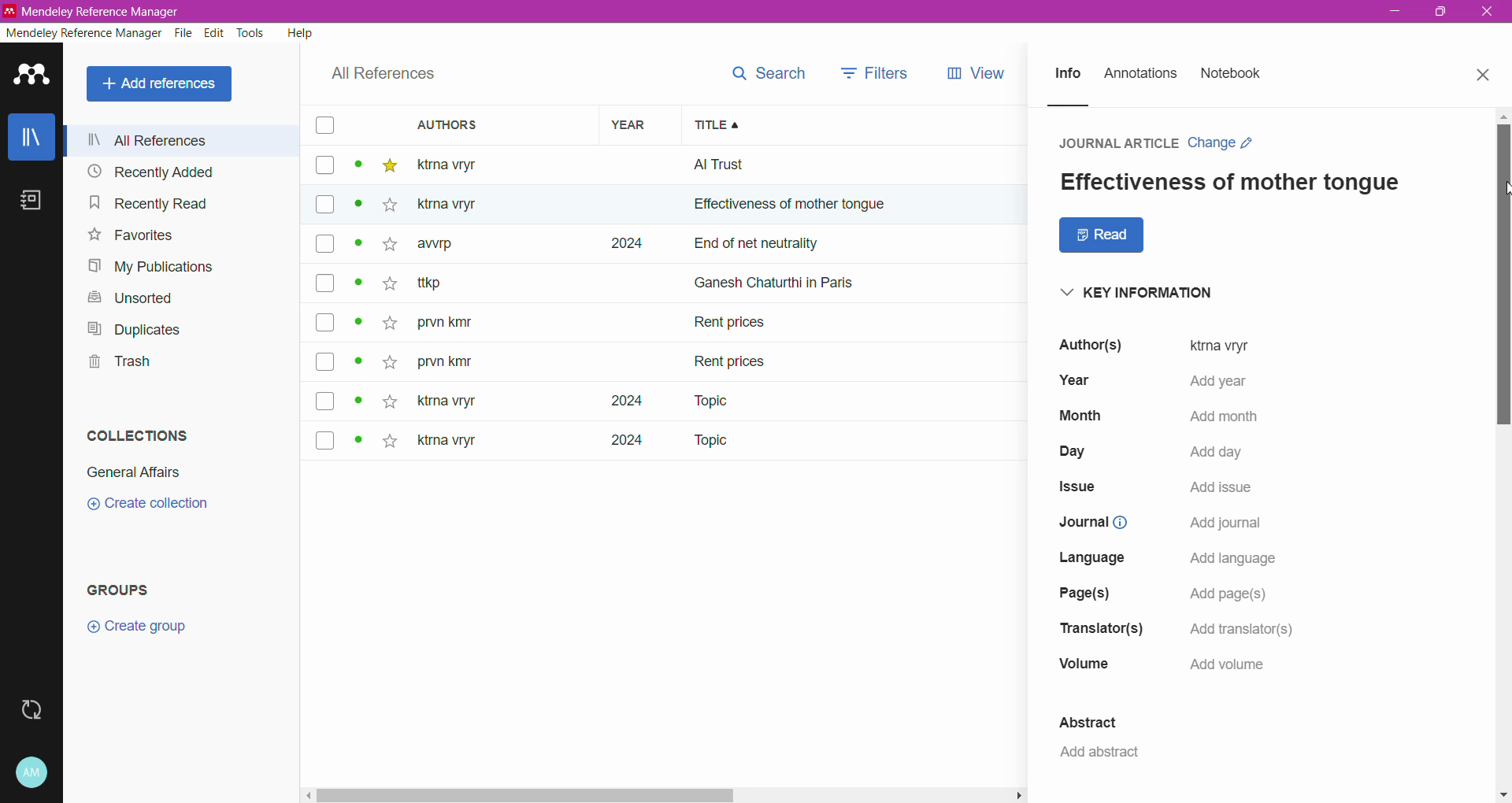  I want to click on Minimize, so click(1395, 11).